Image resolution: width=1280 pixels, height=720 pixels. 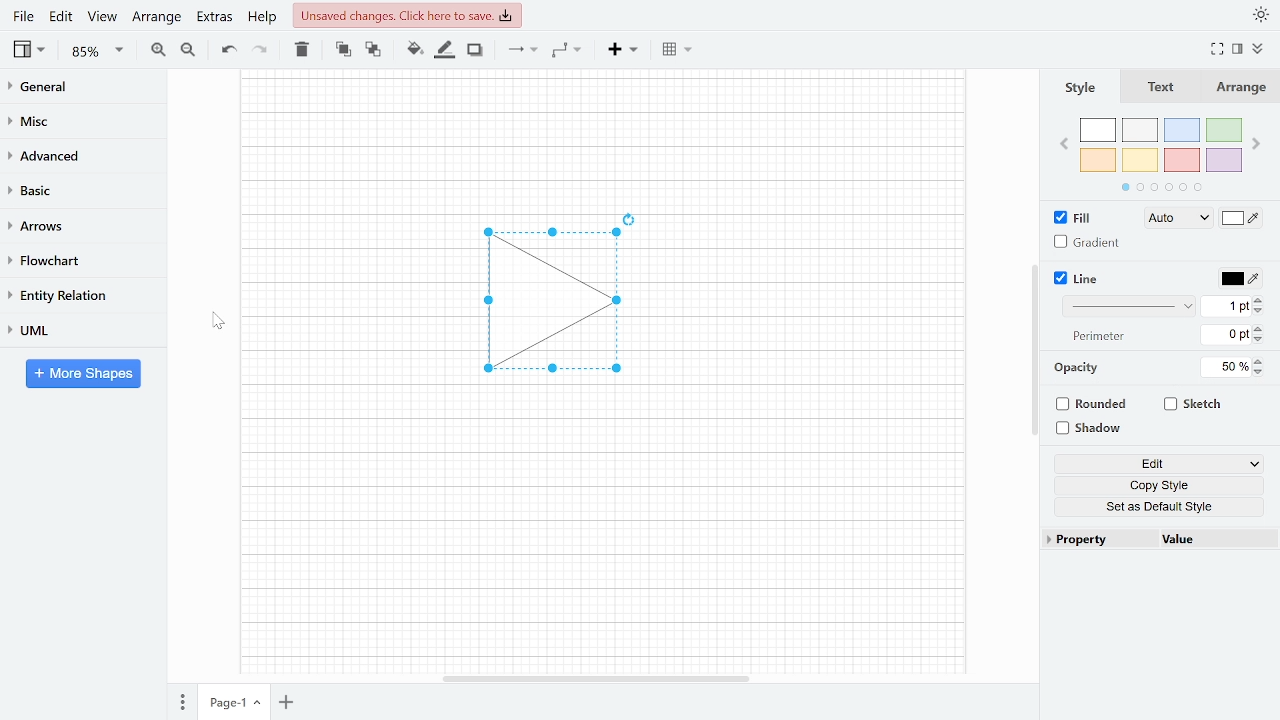 I want to click on Line color, so click(x=1238, y=276).